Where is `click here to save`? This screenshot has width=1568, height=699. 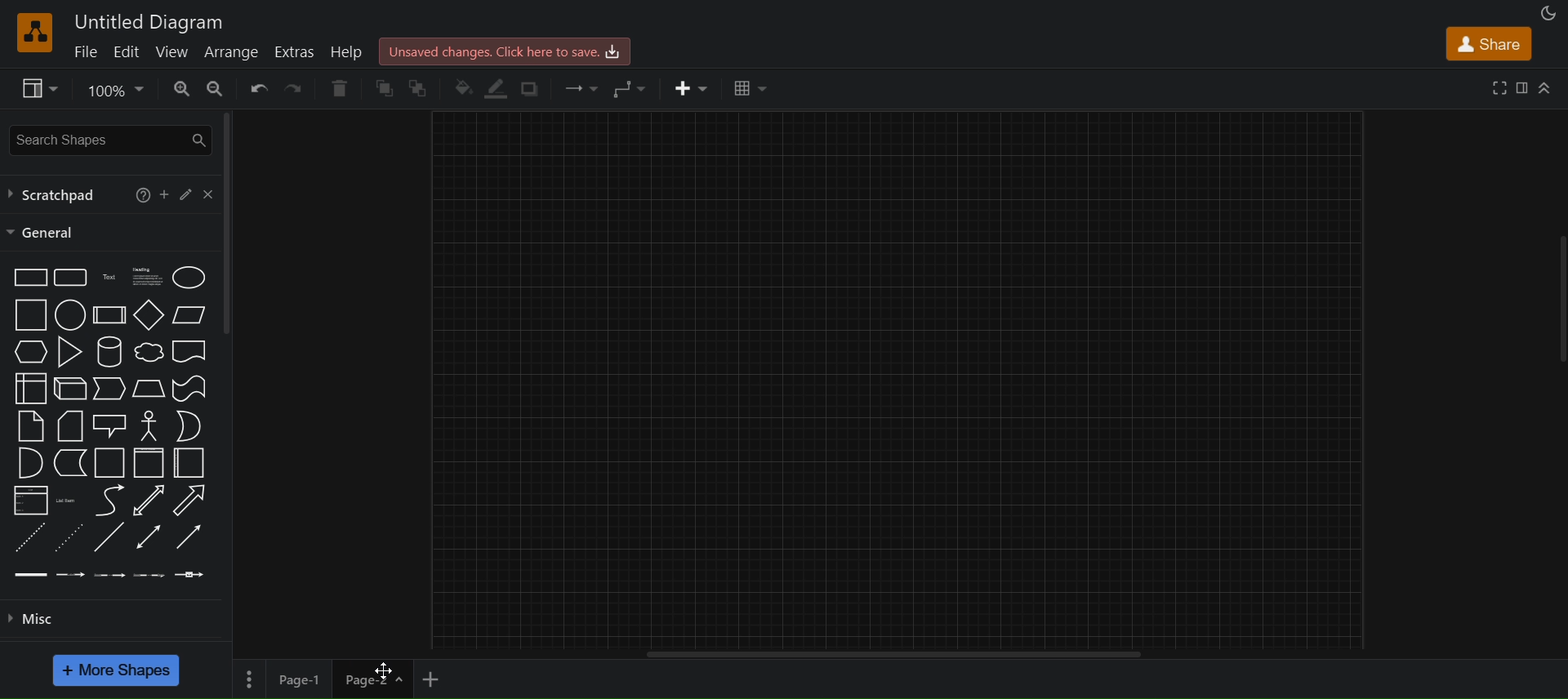 click here to save is located at coordinates (506, 50).